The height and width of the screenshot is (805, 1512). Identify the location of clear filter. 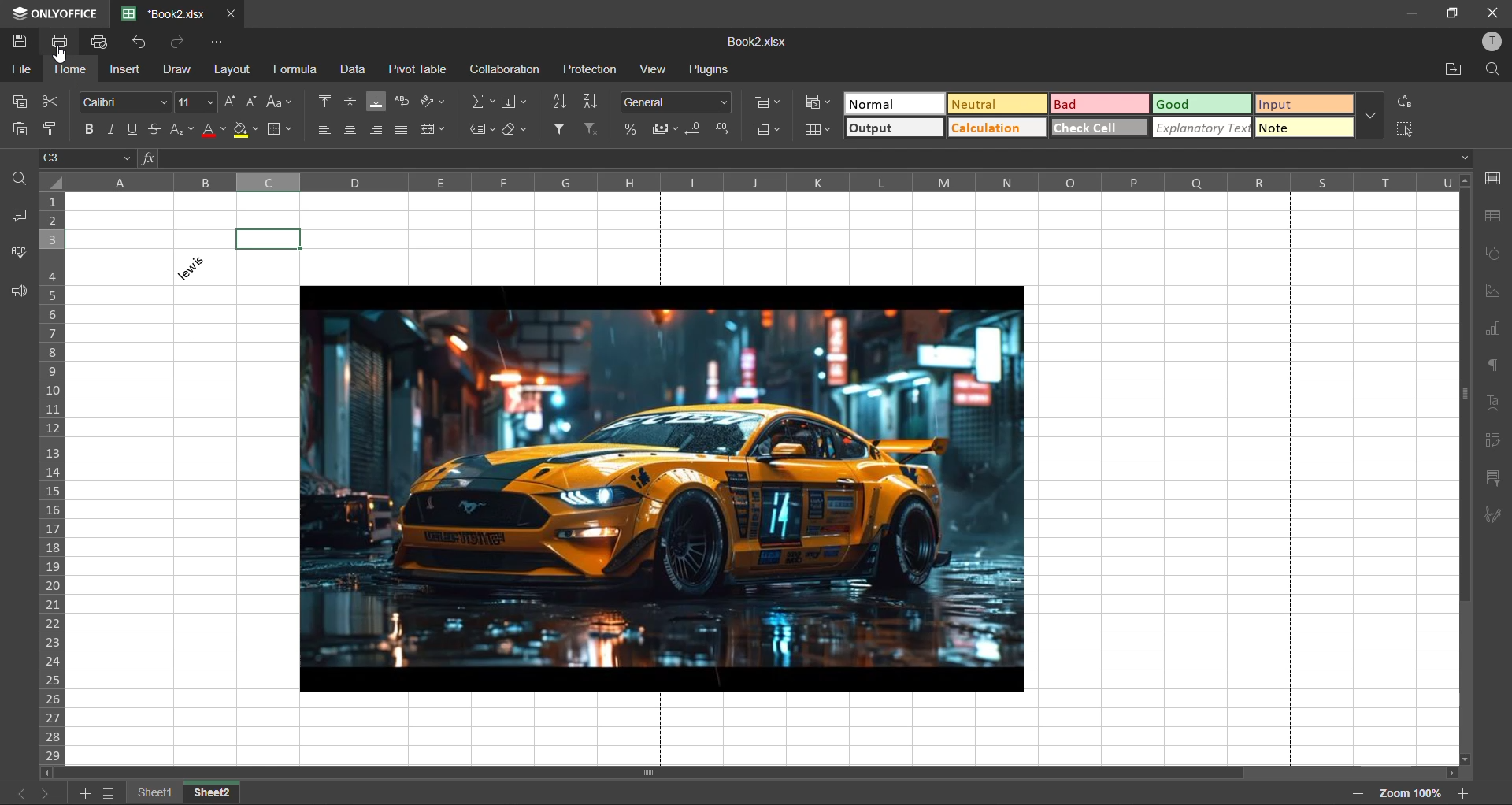
(593, 128).